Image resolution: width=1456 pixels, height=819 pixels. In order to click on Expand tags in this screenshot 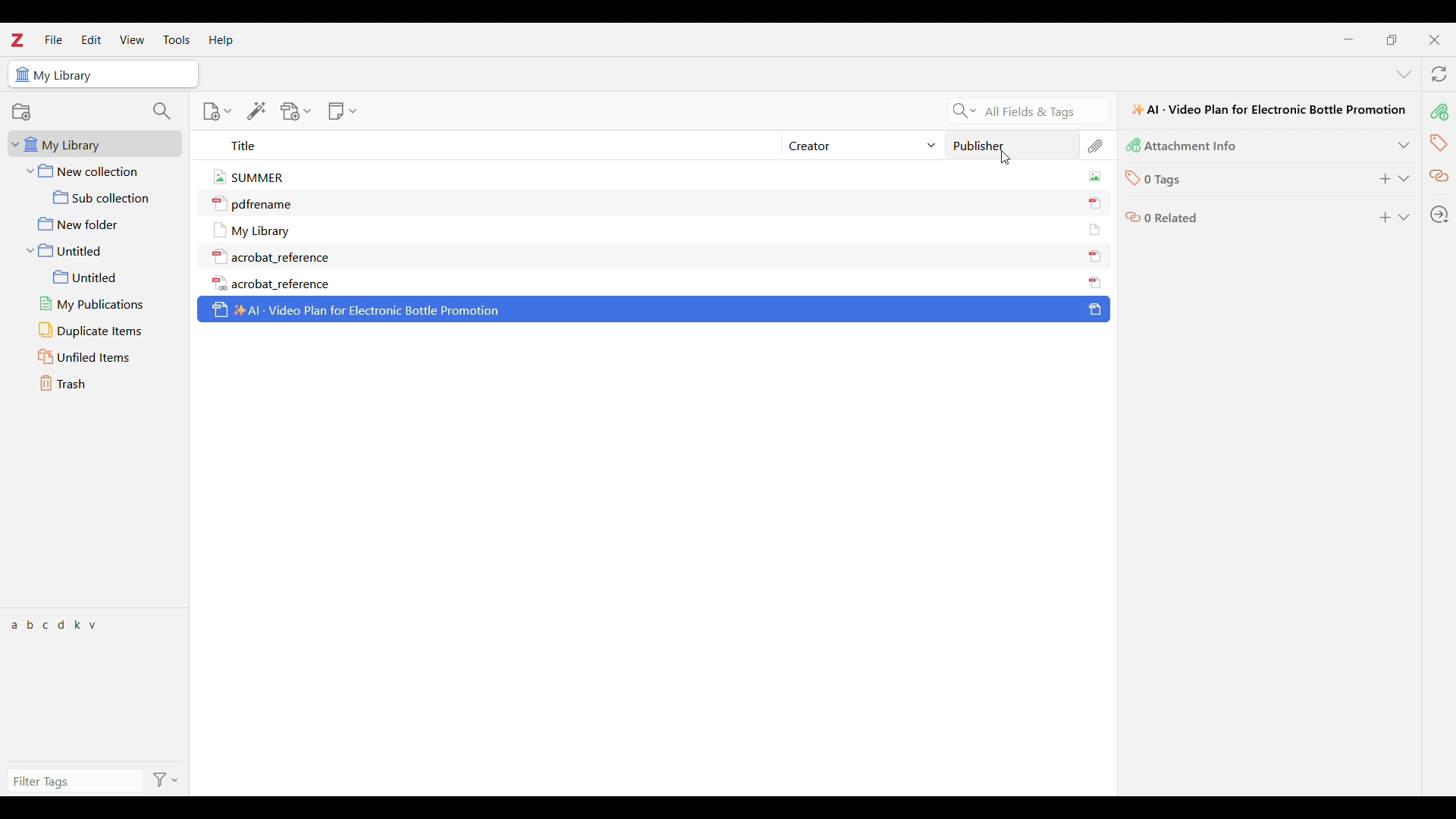, I will do `click(1404, 179)`.